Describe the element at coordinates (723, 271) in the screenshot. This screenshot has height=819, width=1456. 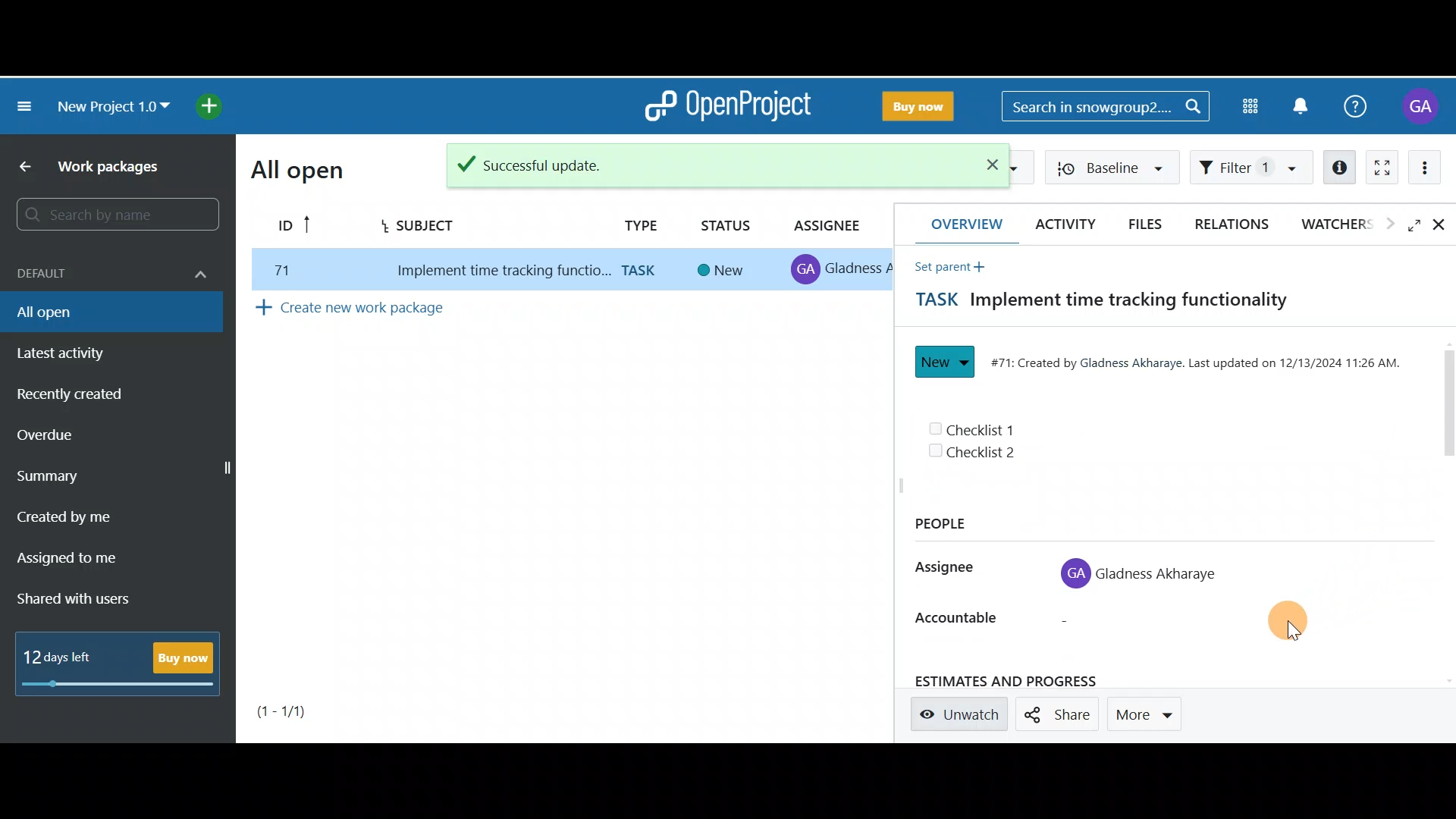
I see `new` at that location.